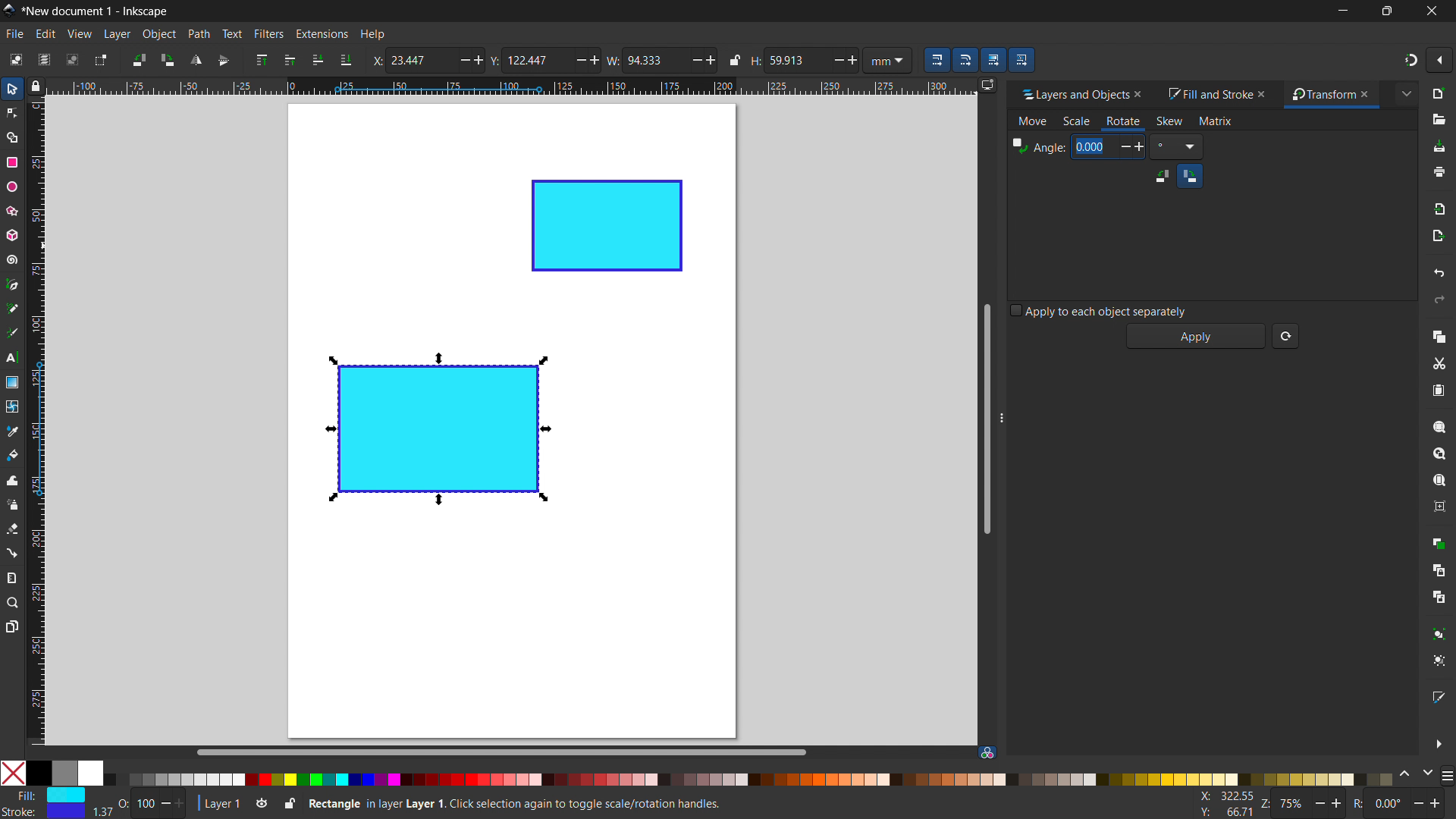 The width and height of the screenshot is (1456, 819). Describe the element at coordinates (195, 60) in the screenshot. I see `flip horizontal` at that location.